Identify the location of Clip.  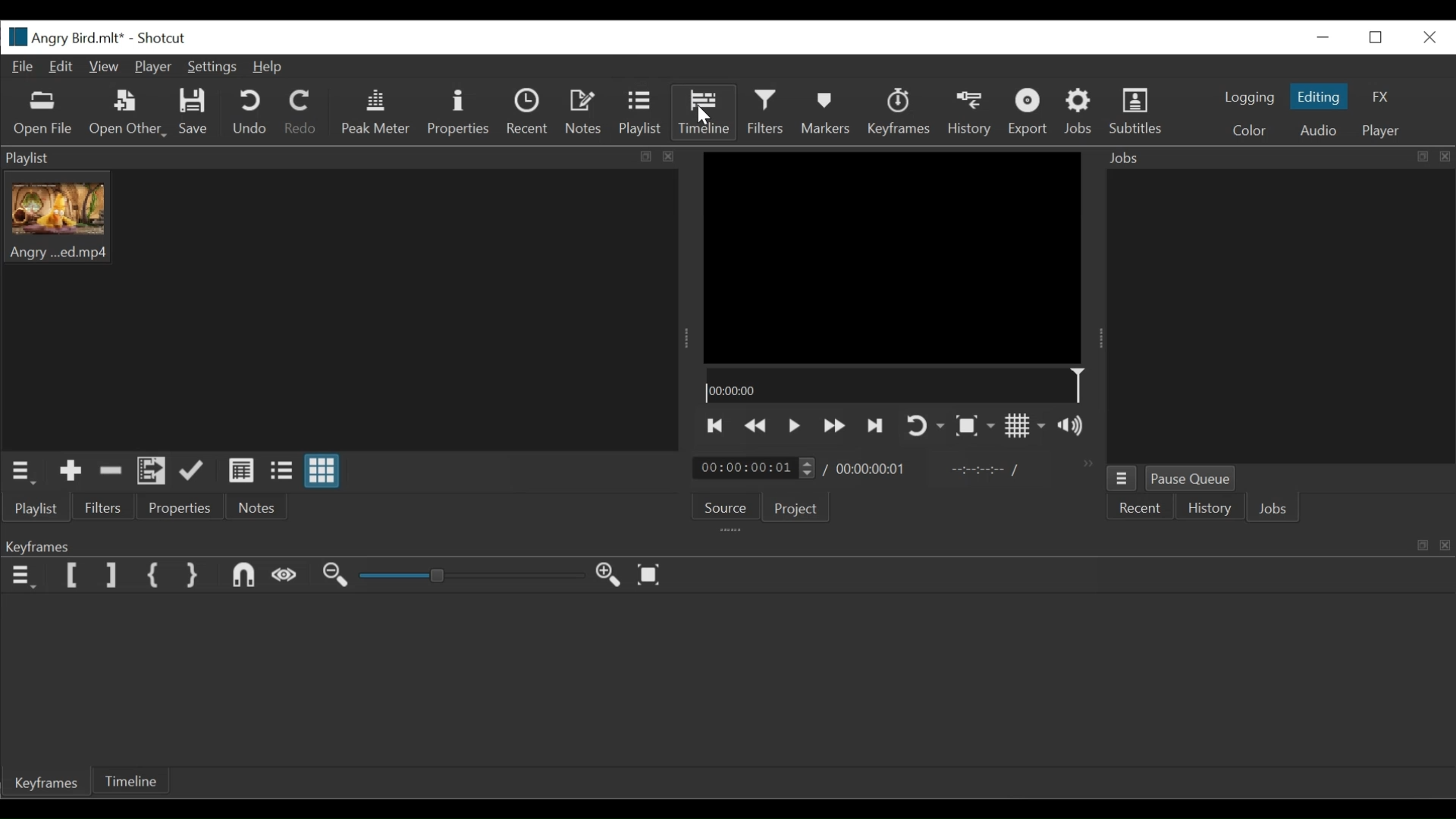
(60, 217).